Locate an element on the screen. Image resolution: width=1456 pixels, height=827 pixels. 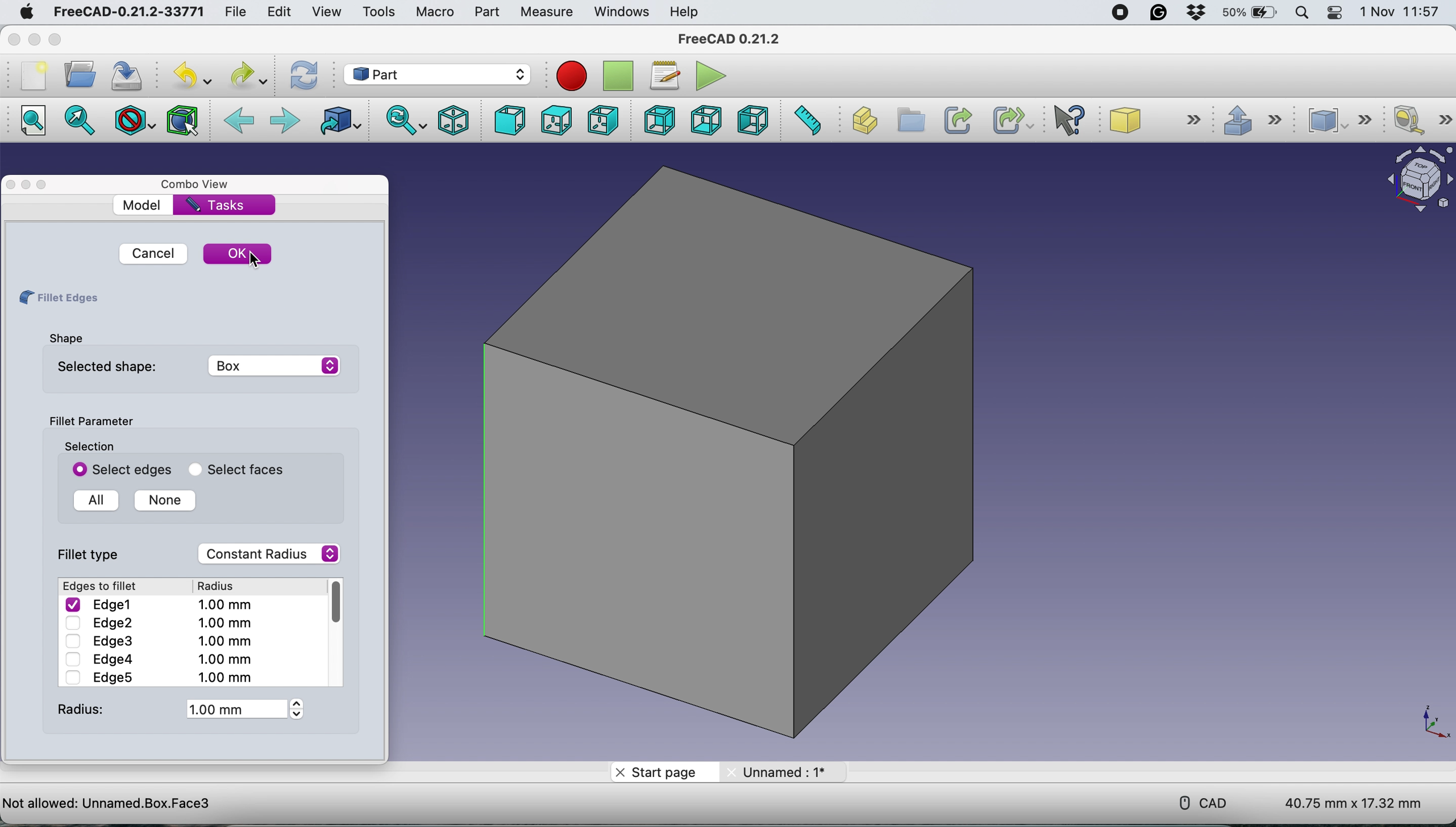
Model is located at coordinates (143, 205).